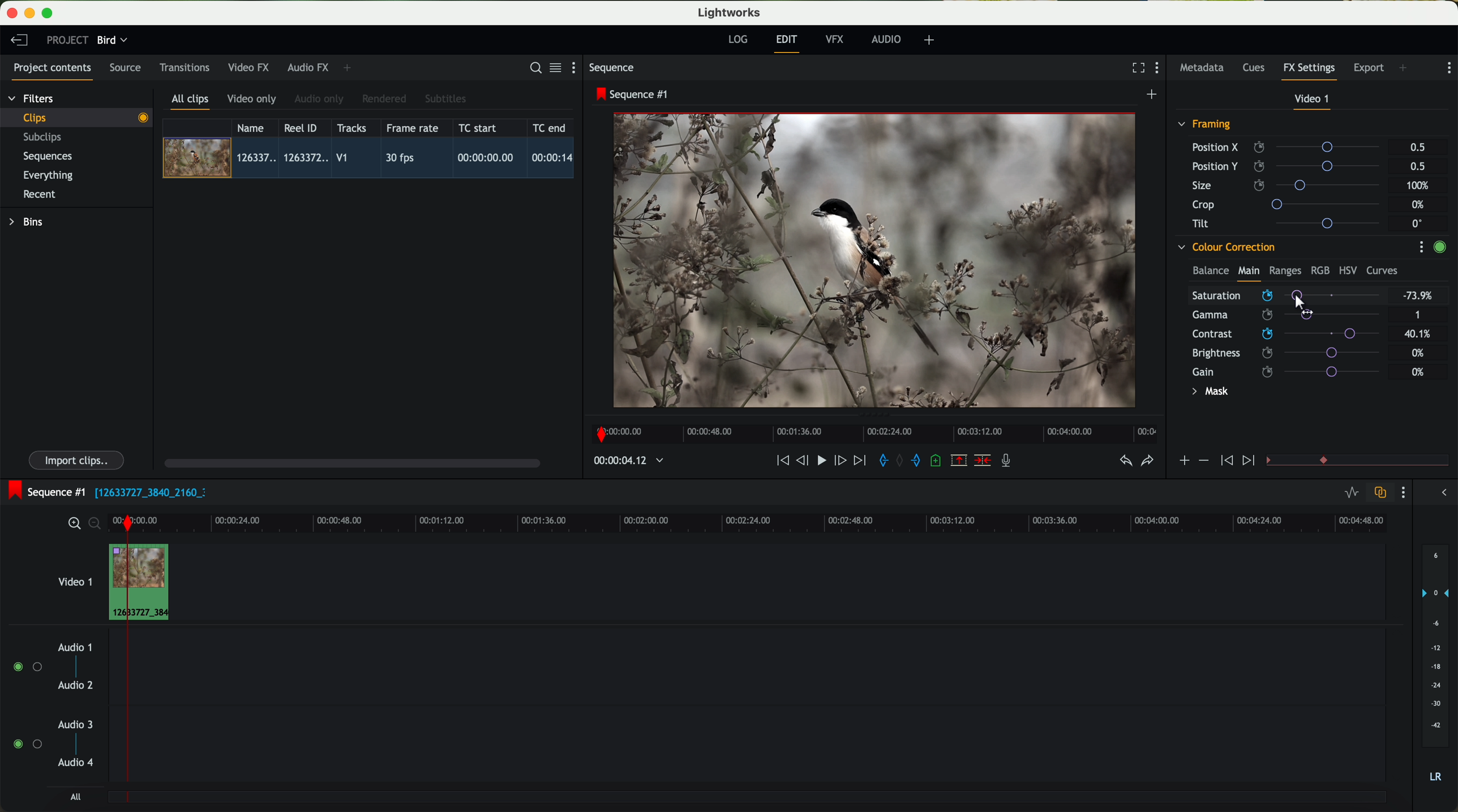 This screenshot has width=1458, height=812. I want to click on edit, so click(788, 42).